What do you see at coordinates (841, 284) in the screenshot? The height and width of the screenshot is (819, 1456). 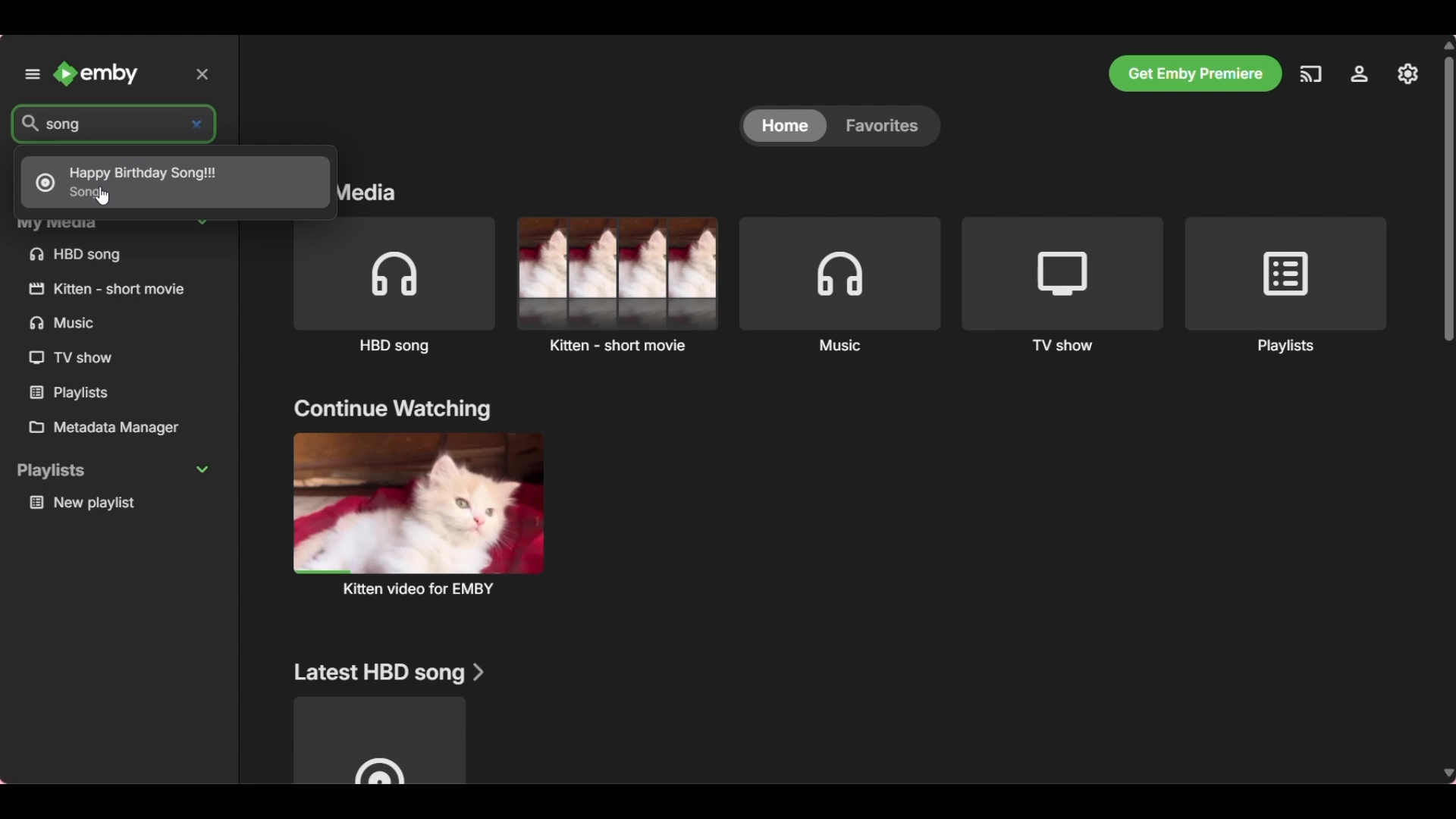 I see `Music` at bounding box center [841, 284].